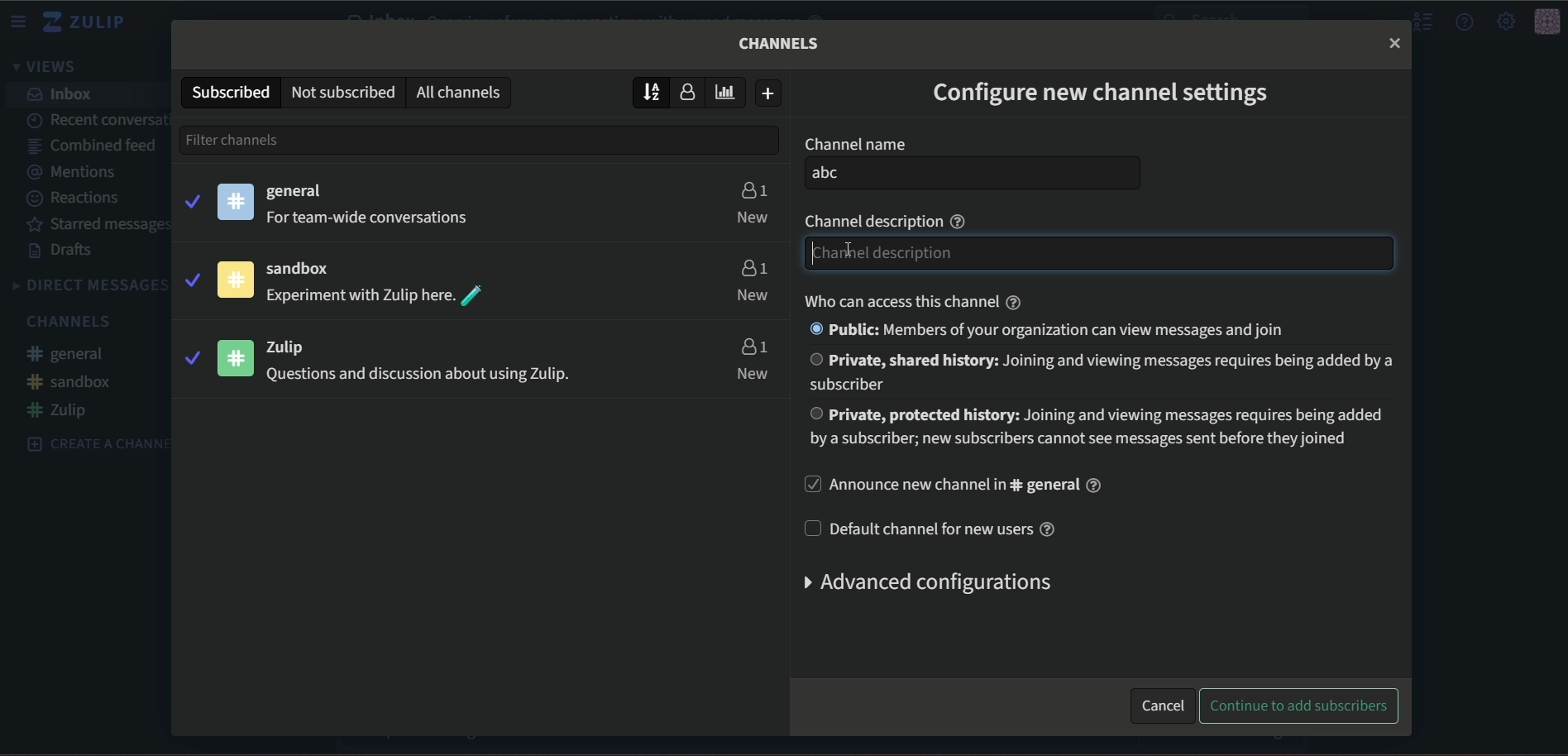 The height and width of the screenshot is (756, 1568). What do you see at coordinates (1102, 372) in the screenshot?
I see ` Private, shared history: Joining and viewing messages requires being added by asubscriber` at bounding box center [1102, 372].